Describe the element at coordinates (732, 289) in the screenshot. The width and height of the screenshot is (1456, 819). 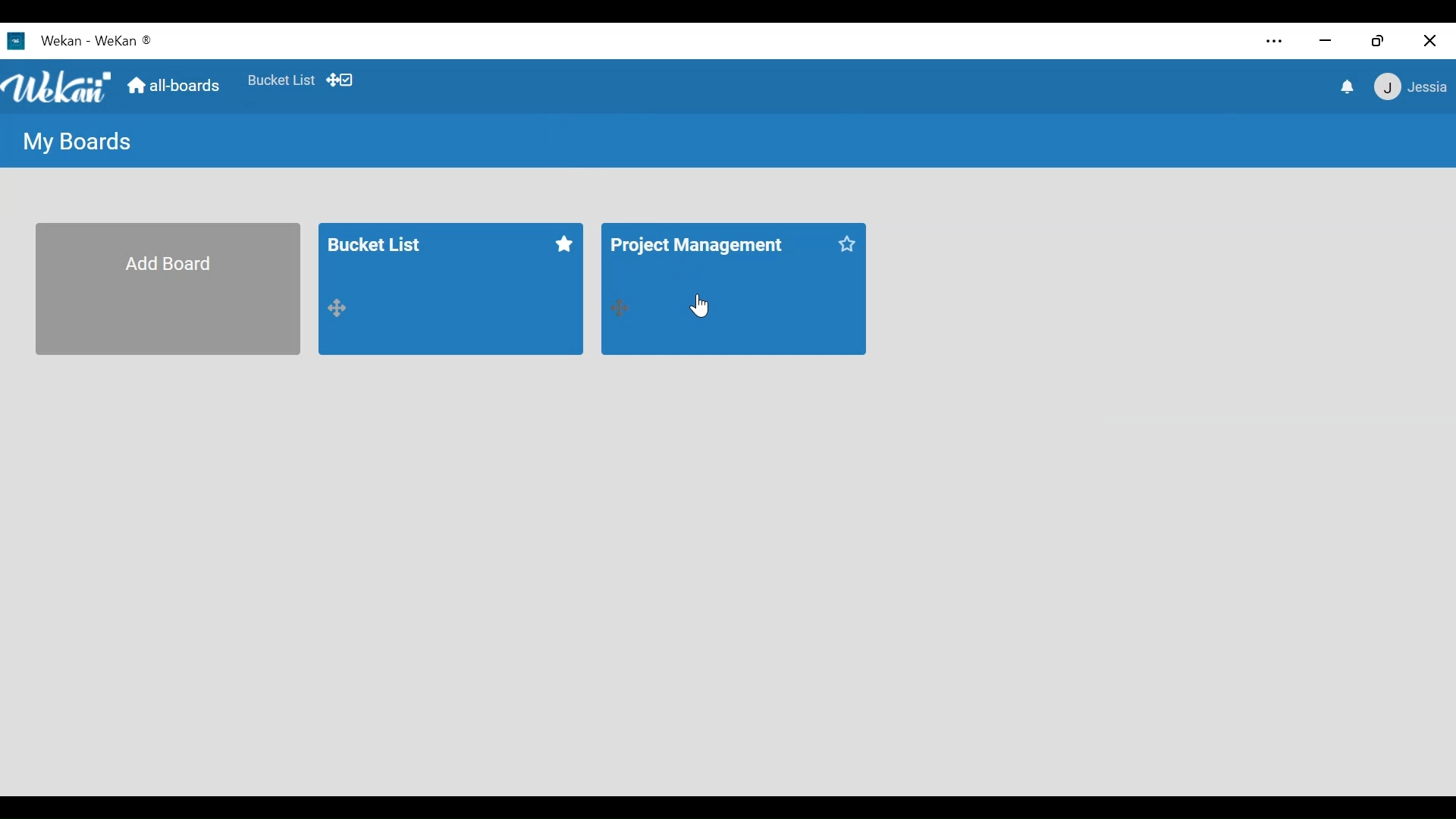
I see `board 2` at that location.